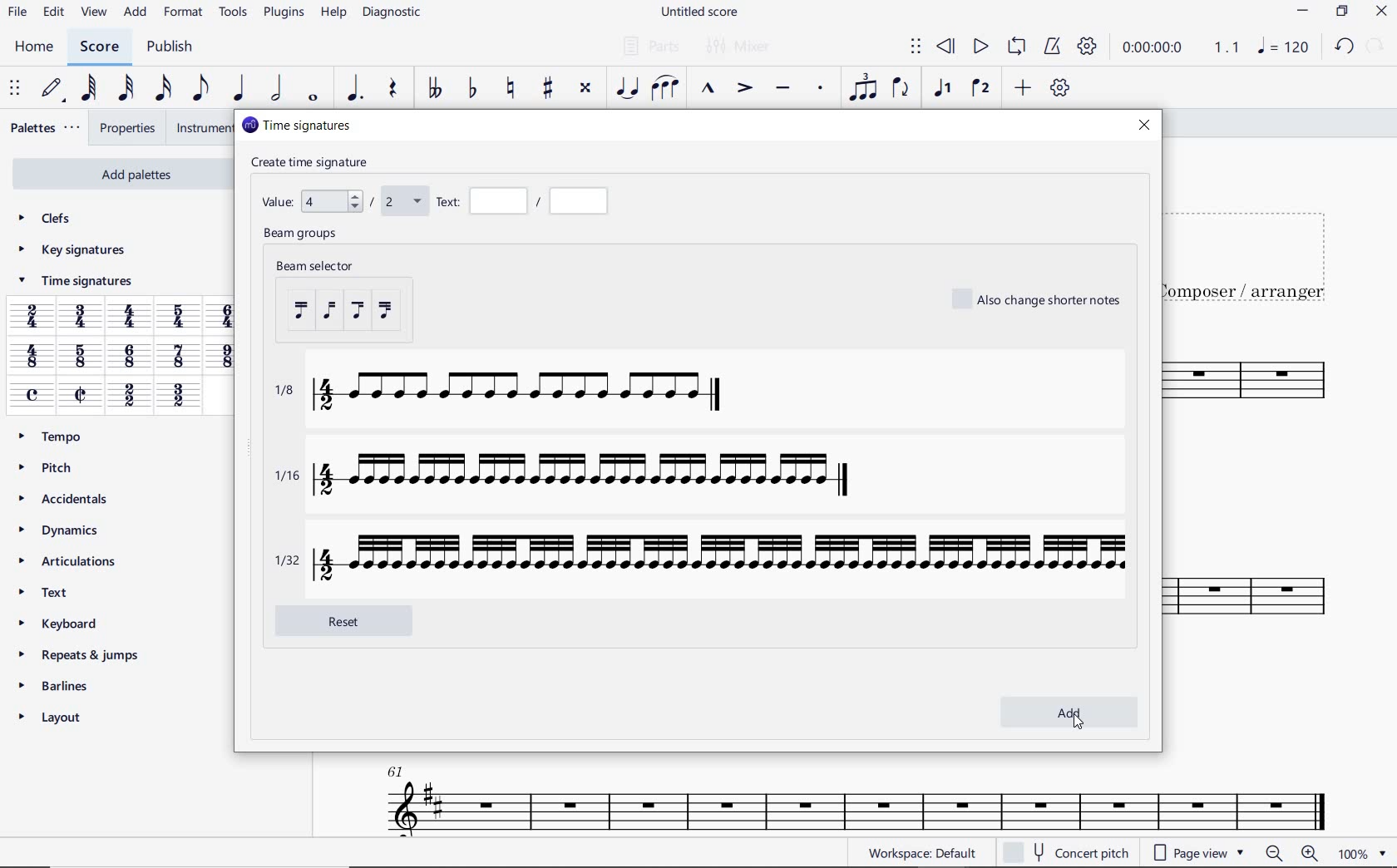 This screenshot has height=868, width=1397. What do you see at coordinates (901, 89) in the screenshot?
I see `FLIP DIRECTION` at bounding box center [901, 89].